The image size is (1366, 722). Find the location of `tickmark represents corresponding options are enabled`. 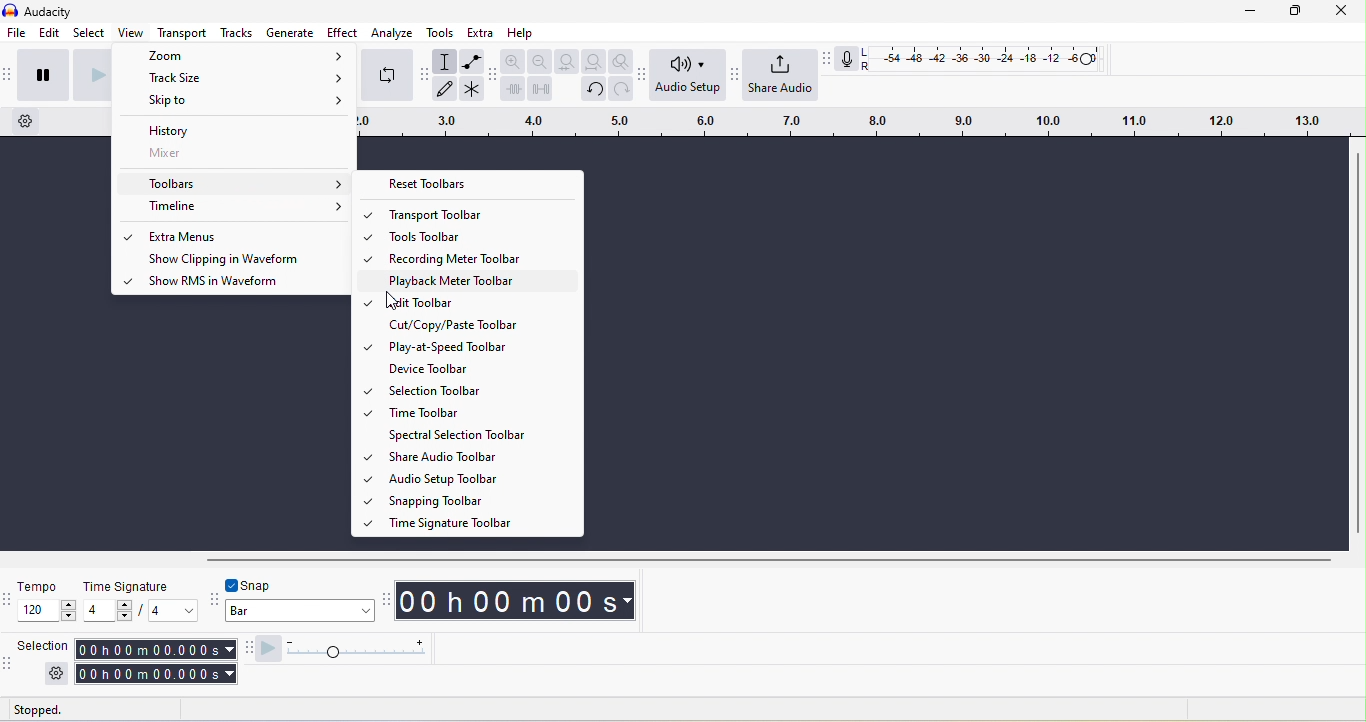

tickmark represents corresponding options are enabled is located at coordinates (367, 369).